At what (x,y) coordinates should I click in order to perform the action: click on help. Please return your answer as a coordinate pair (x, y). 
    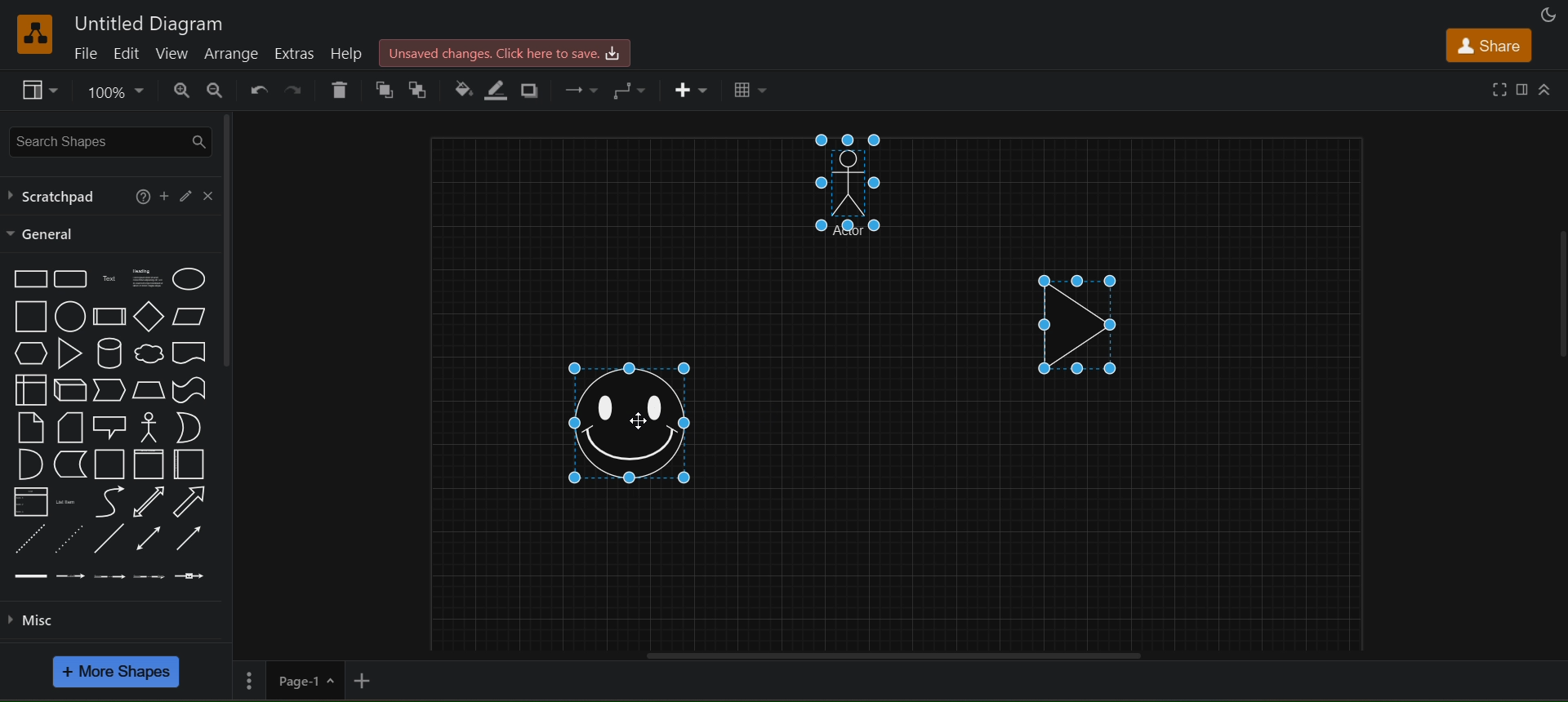
    Looking at the image, I should click on (140, 194).